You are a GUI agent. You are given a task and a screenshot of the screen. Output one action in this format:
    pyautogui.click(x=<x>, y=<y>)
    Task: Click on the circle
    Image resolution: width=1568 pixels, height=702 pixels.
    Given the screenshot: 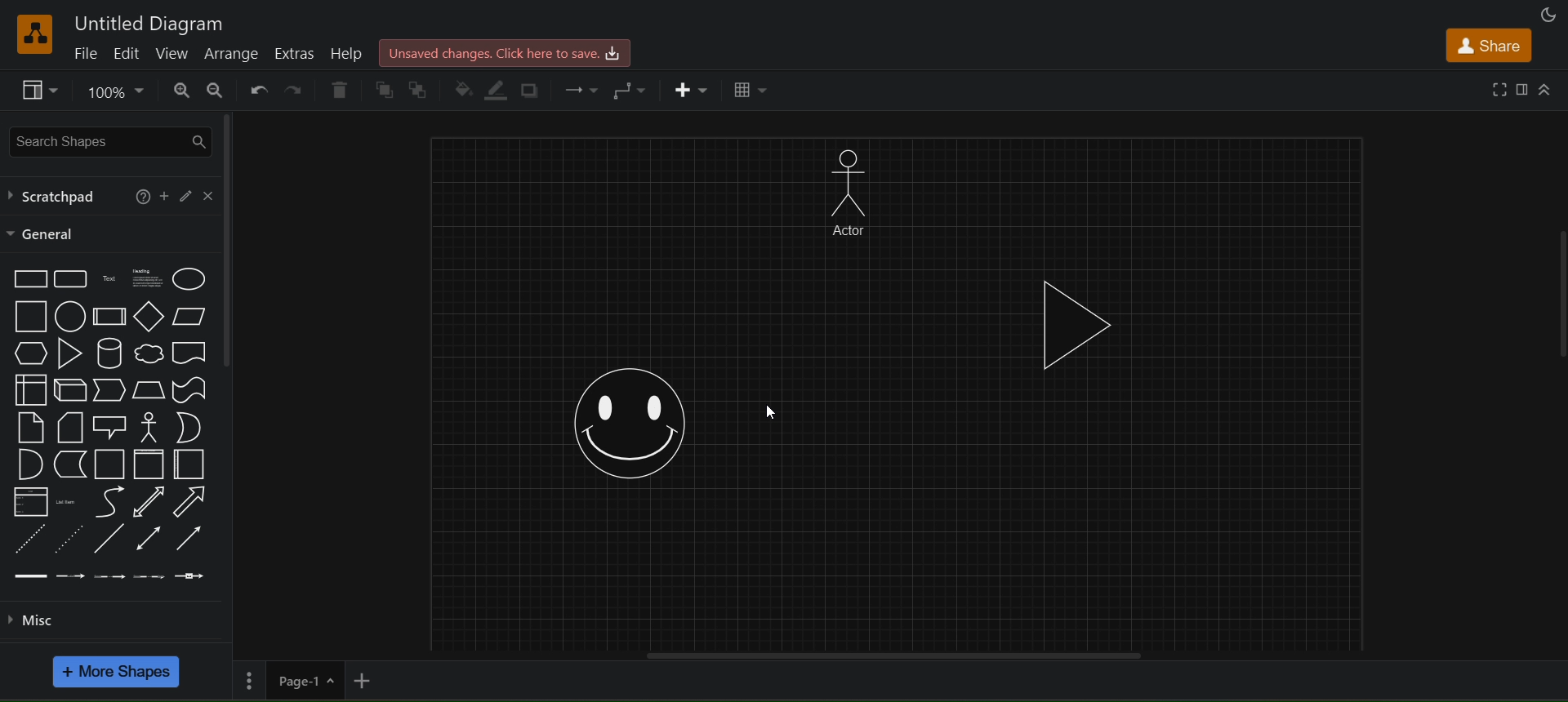 What is the action you would take?
    pyautogui.click(x=69, y=314)
    